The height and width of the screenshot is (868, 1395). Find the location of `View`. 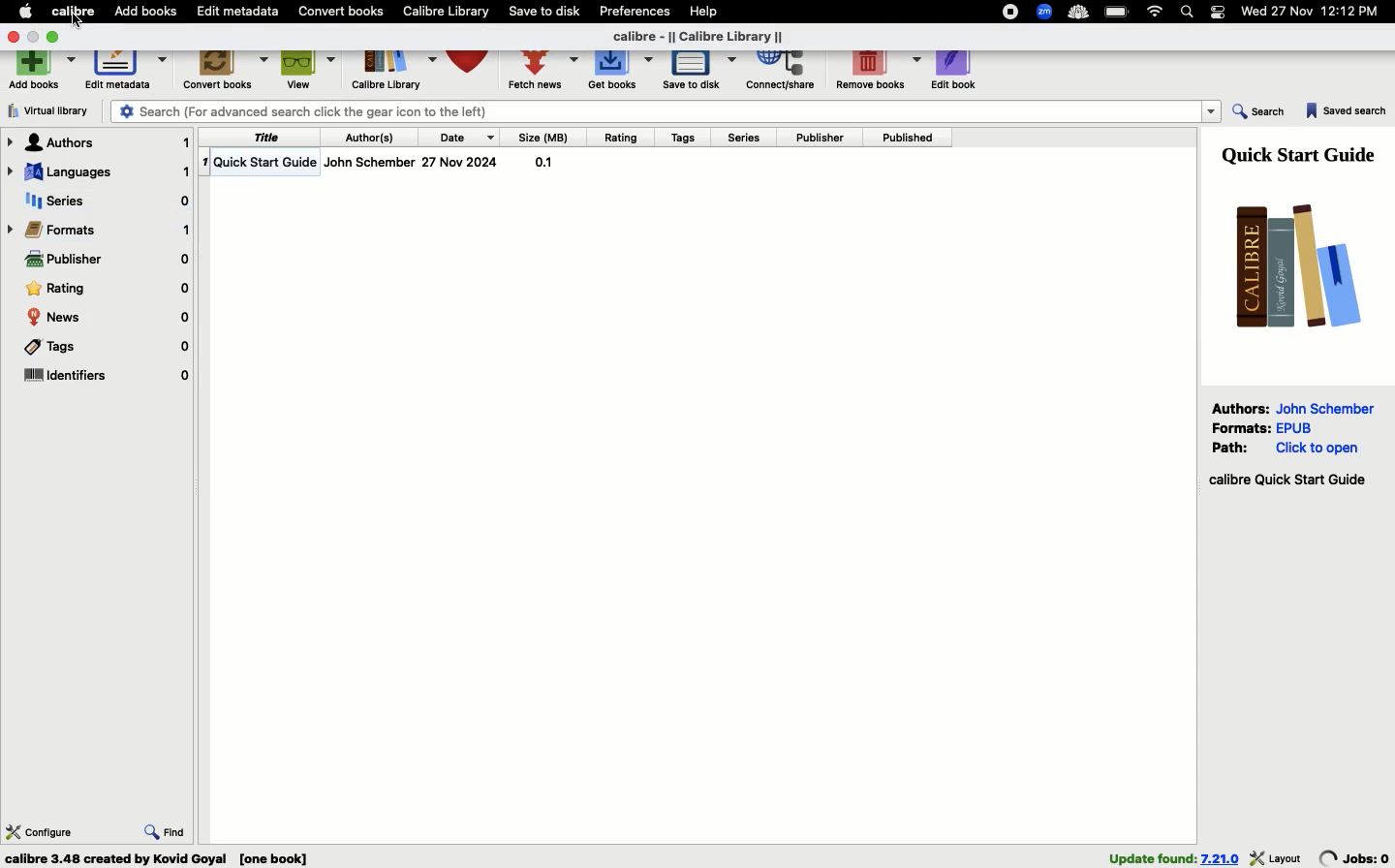

View is located at coordinates (307, 71).